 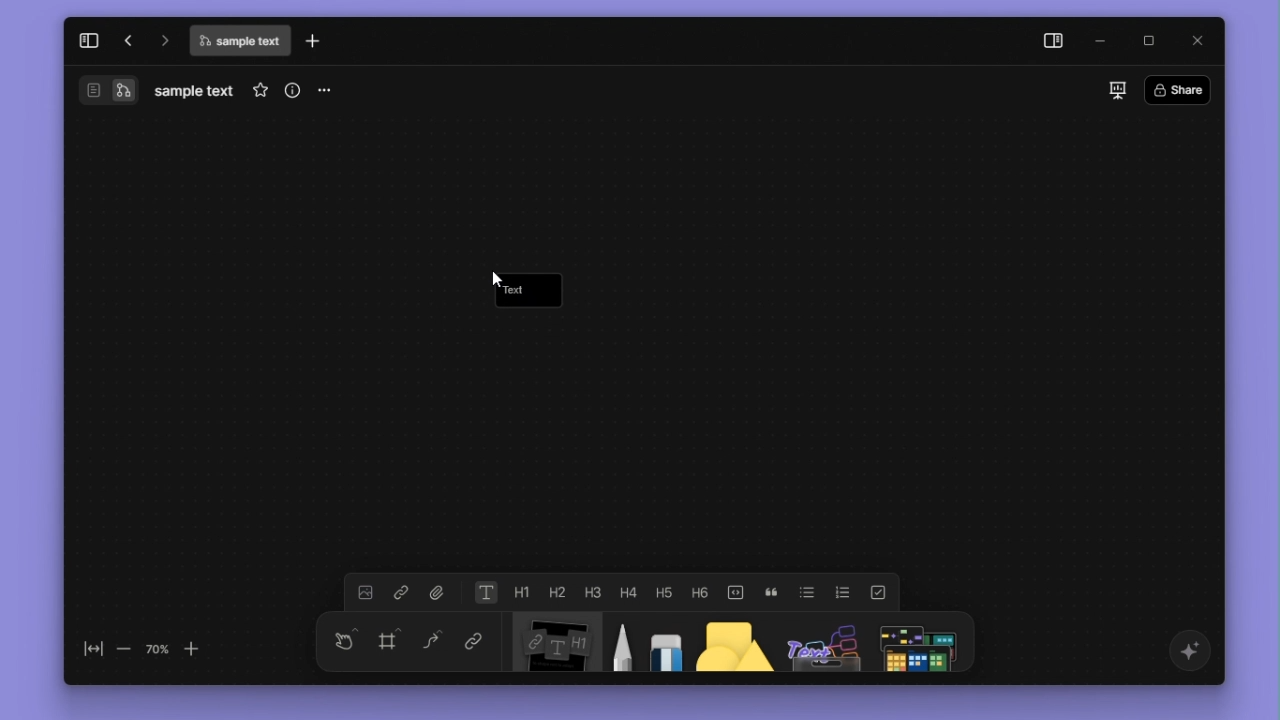 What do you see at coordinates (592, 590) in the screenshot?
I see `heading 3` at bounding box center [592, 590].